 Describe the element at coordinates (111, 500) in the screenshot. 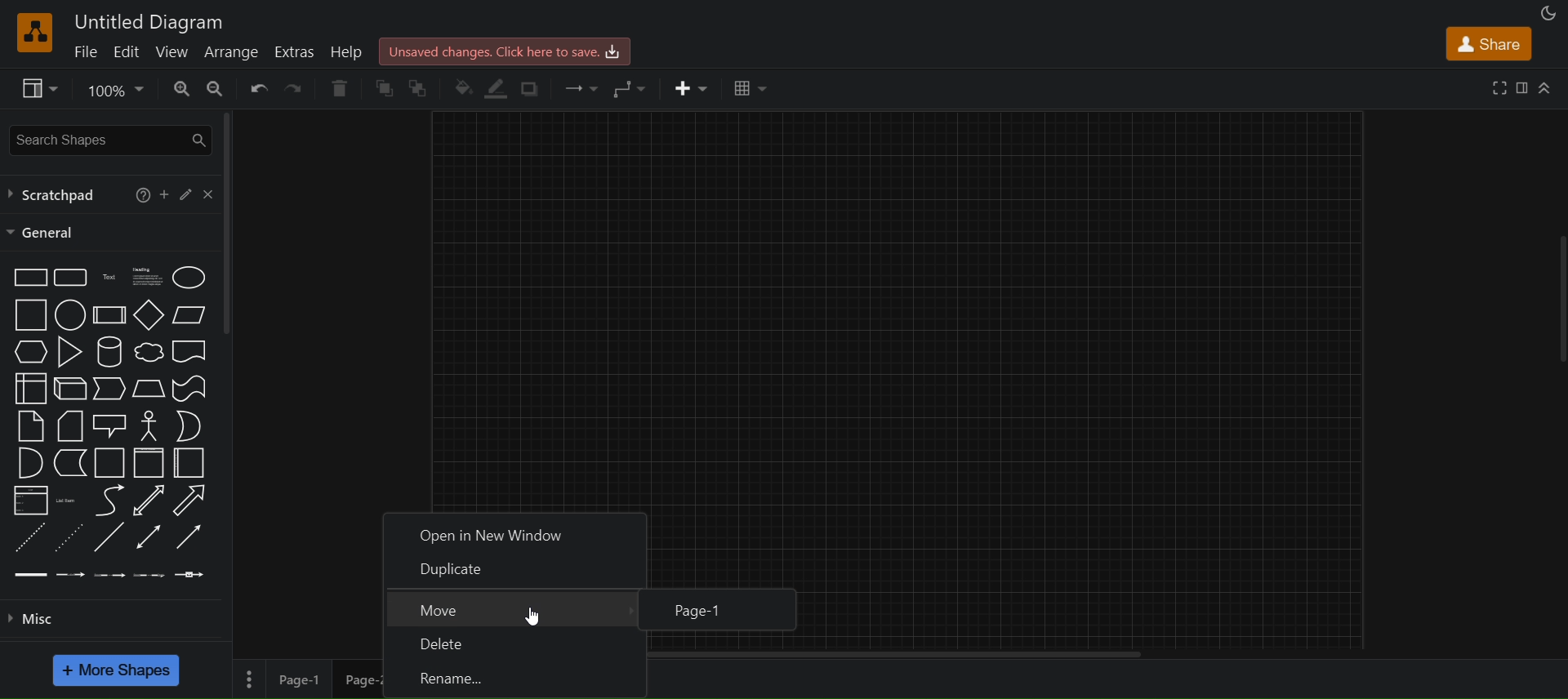

I see `curve` at that location.